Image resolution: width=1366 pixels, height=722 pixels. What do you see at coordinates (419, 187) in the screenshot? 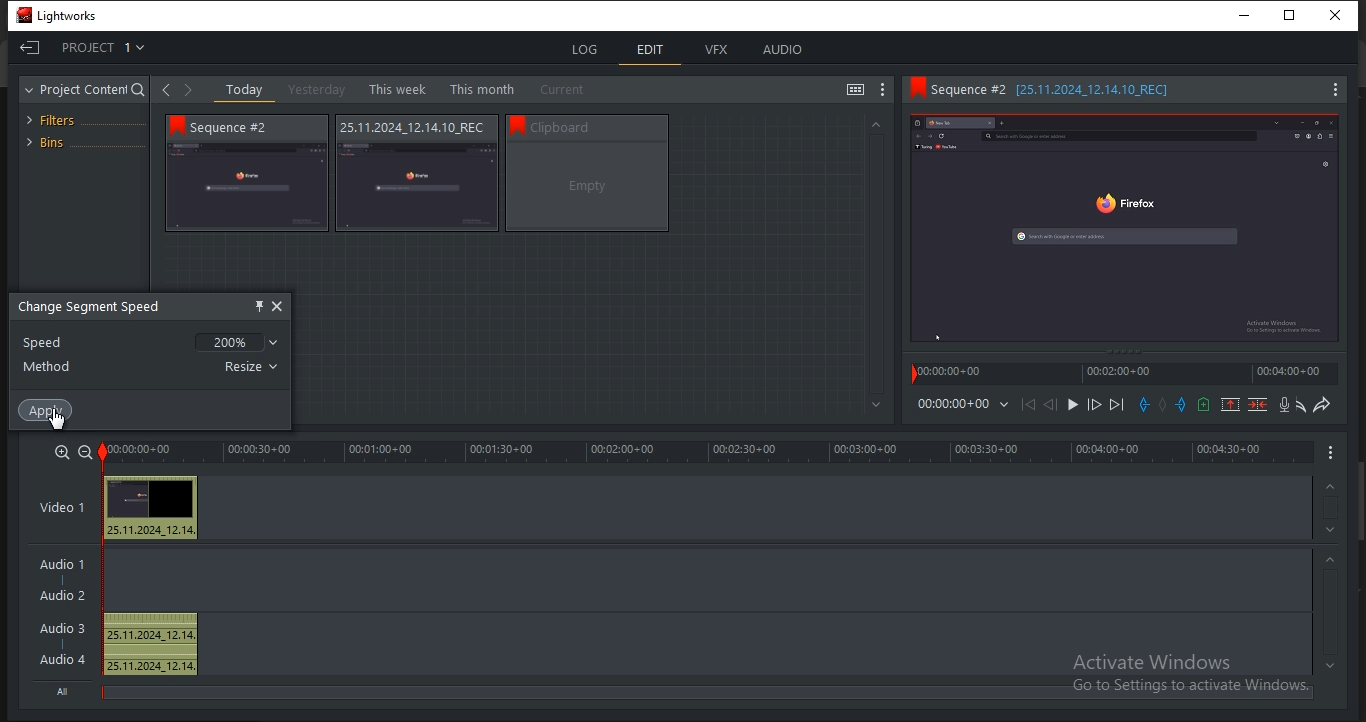
I see `video thumbnail` at bounding box center [419, 187].